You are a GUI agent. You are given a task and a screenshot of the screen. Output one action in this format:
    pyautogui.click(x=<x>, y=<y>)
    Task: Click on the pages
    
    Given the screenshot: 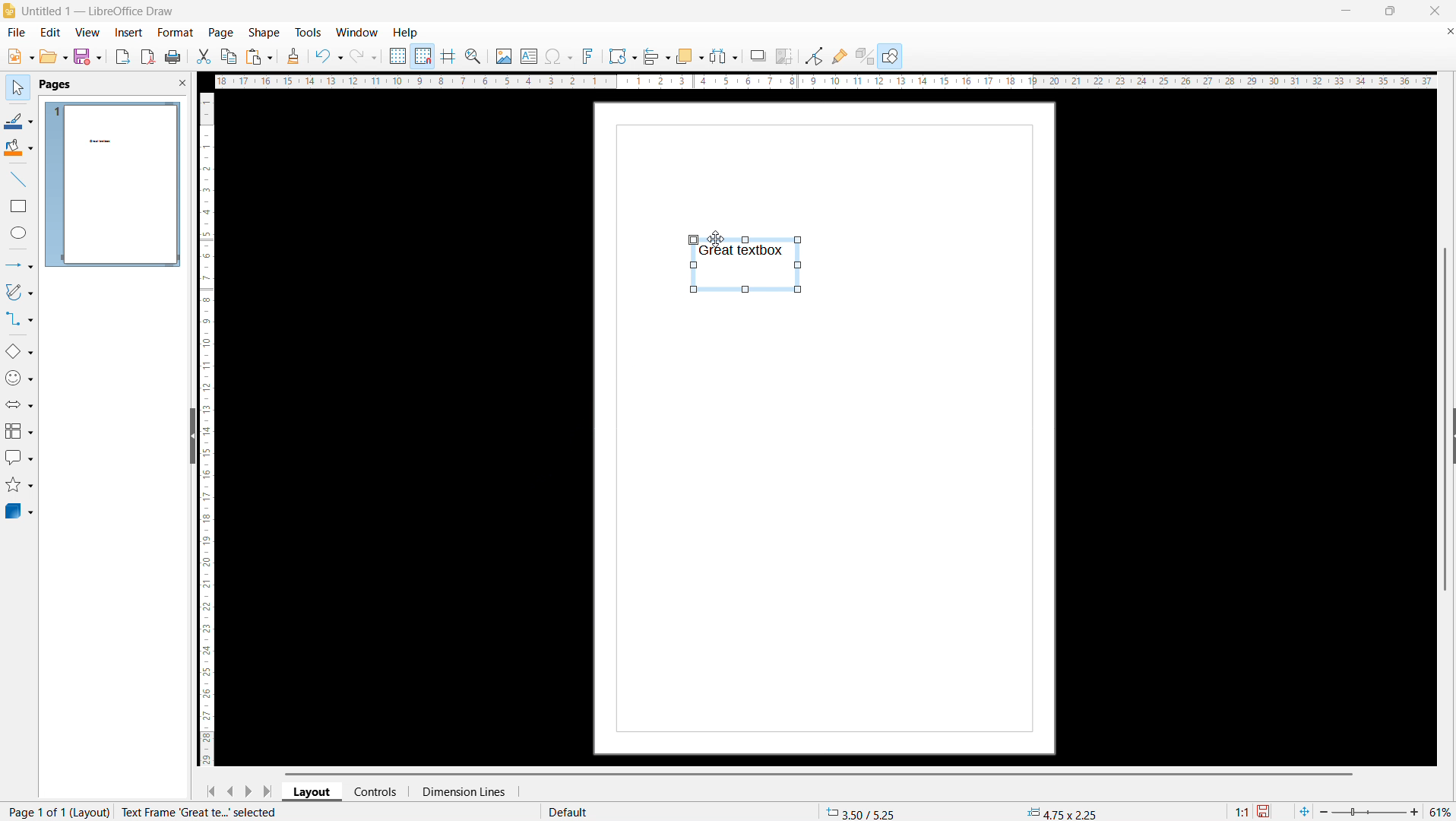 What is the action you would take?
    pyautogui.click(x=55, y=84)
    